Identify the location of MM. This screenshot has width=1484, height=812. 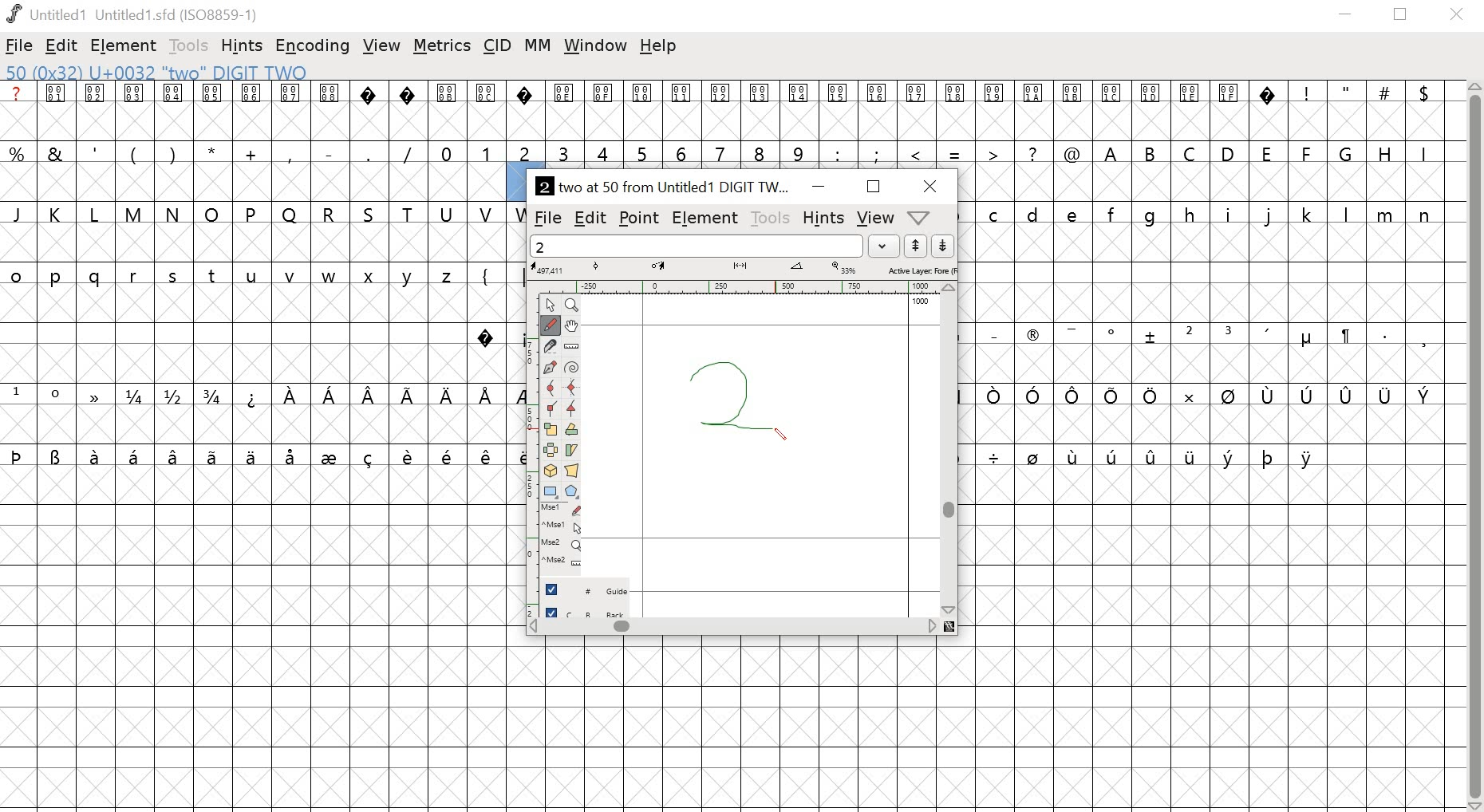
(535, 47).